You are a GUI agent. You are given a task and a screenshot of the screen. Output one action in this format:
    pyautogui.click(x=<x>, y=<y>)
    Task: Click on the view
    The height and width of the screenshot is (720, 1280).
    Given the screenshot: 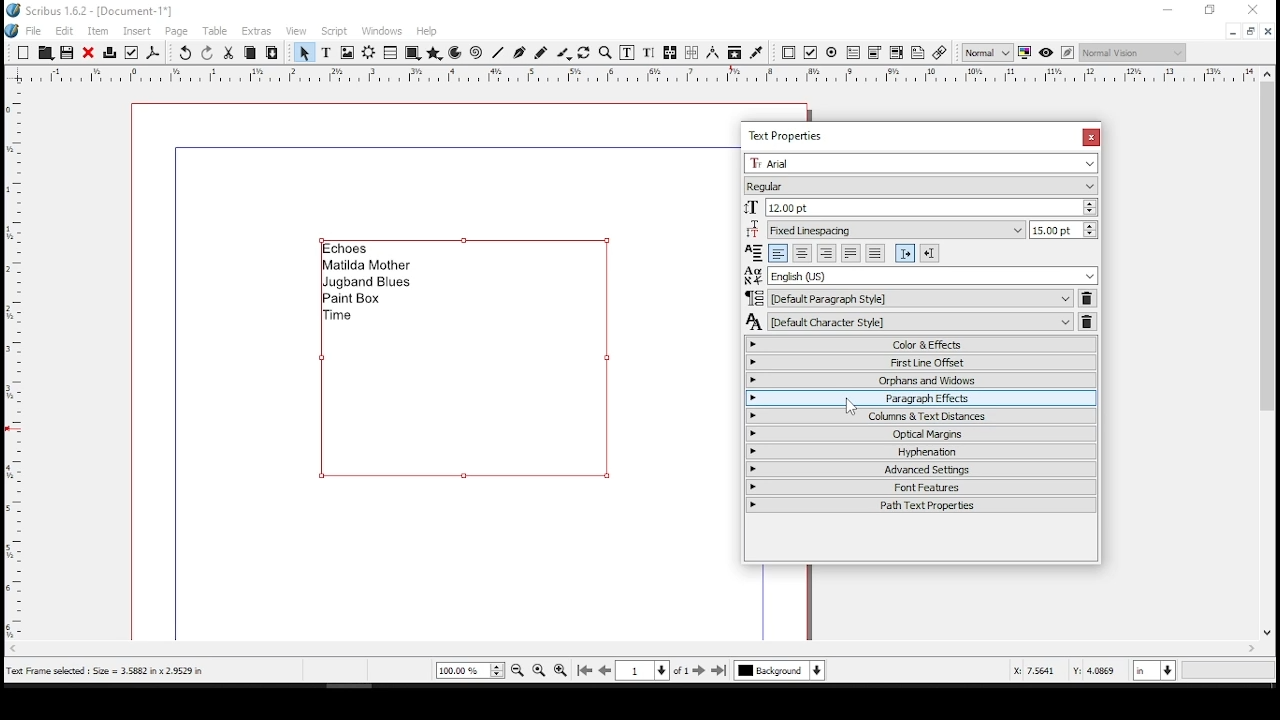 What is the action you would take?
    pyautogui.click(x=296, y=32)
    